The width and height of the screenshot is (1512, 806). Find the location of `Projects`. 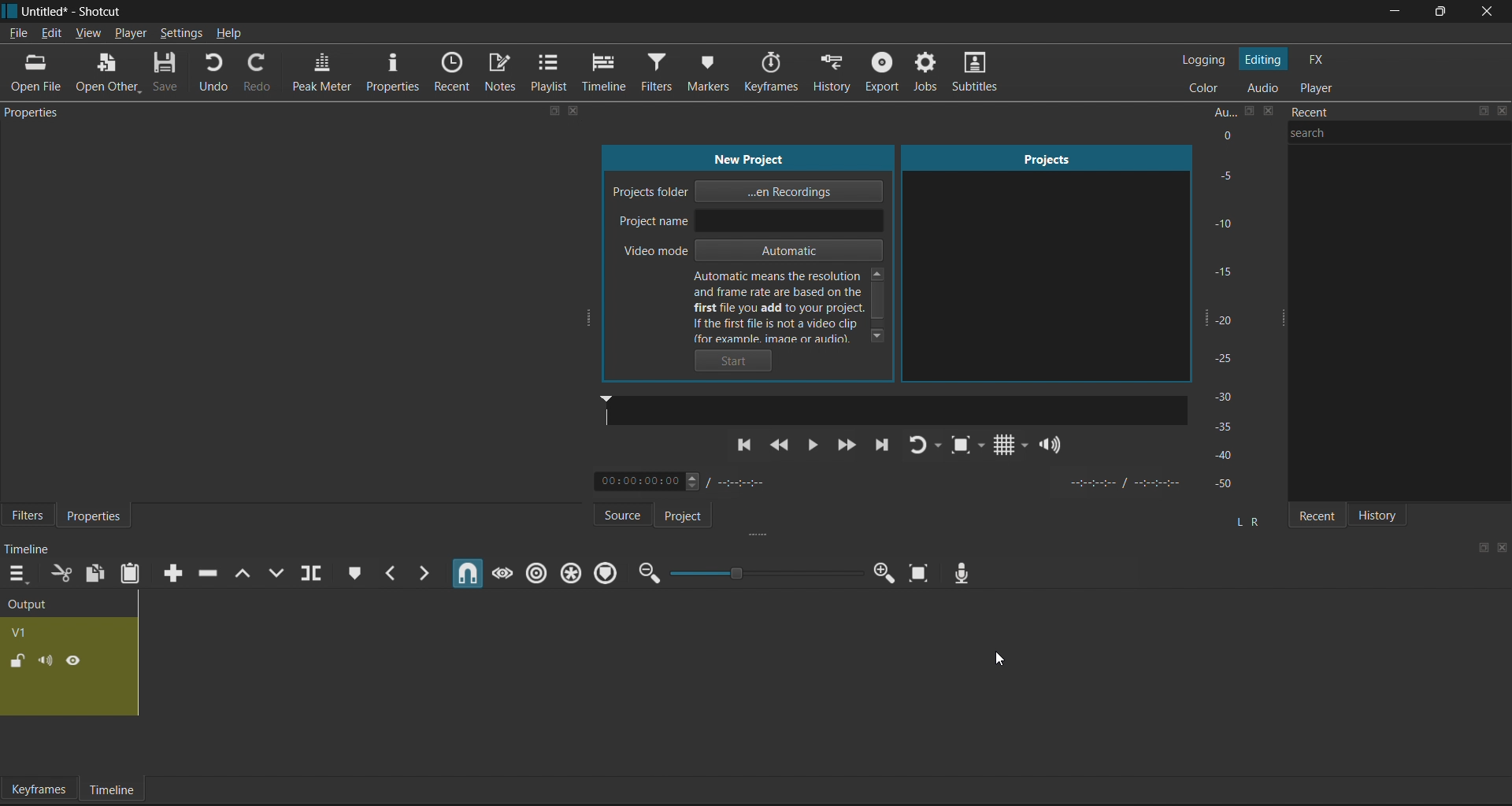

Projects is located at coordinates (1037, 260).